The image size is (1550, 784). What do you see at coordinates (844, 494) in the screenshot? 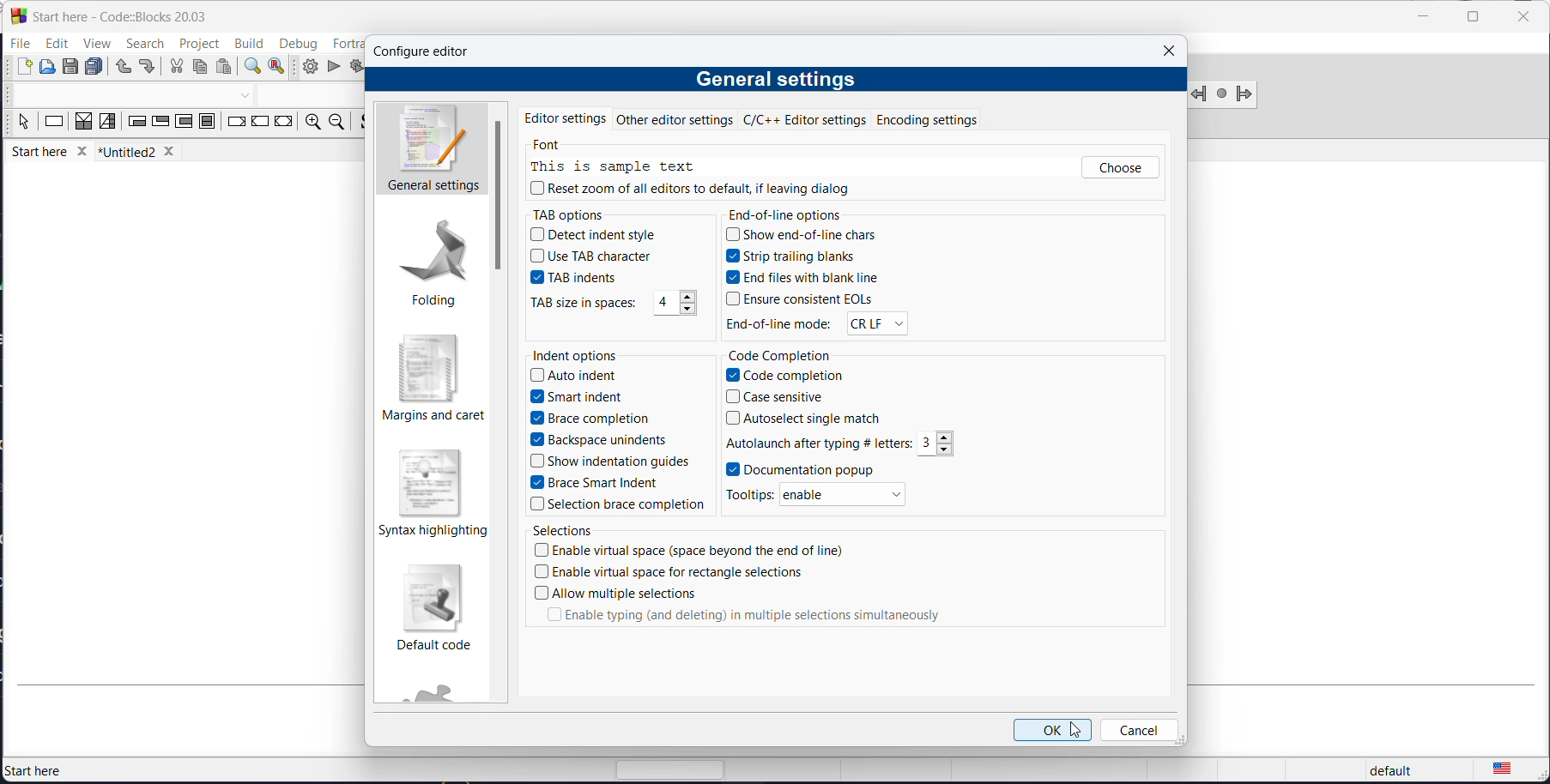
I see `tooltips enable/disable` at bounding box center [844, 494].